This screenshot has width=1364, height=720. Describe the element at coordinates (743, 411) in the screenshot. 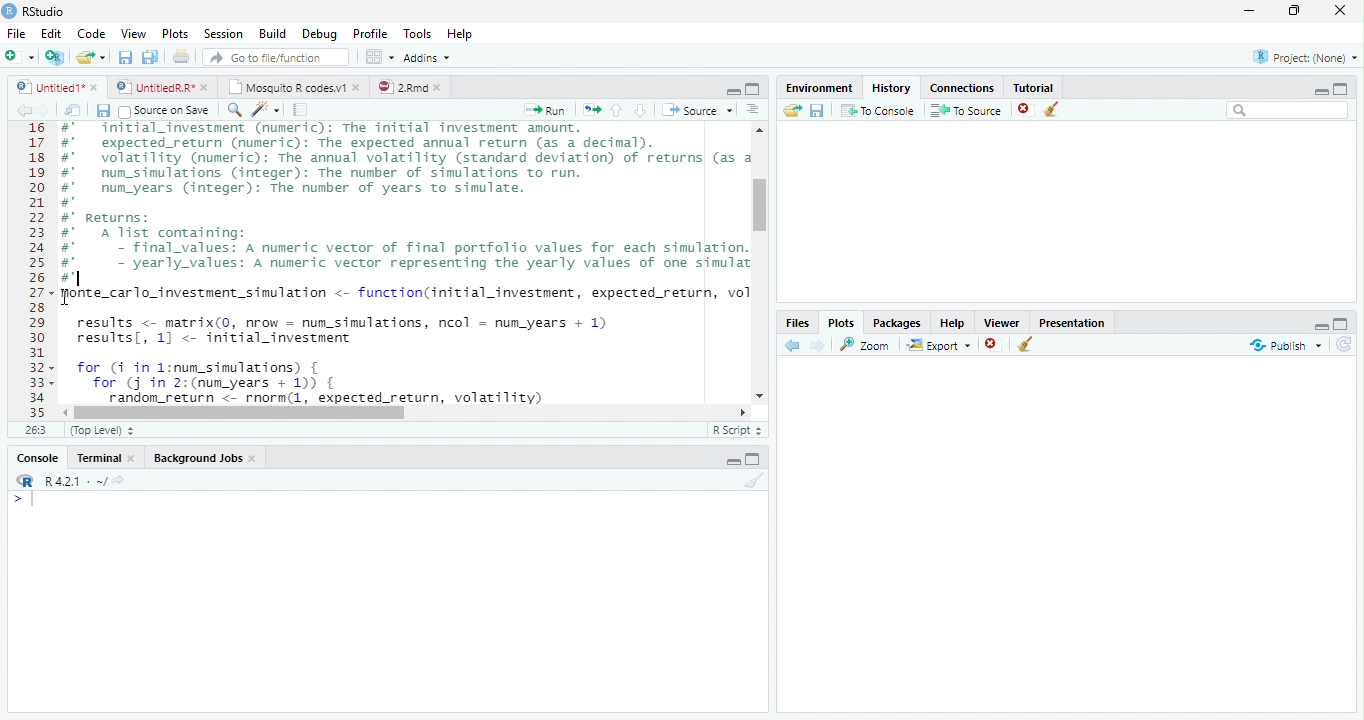

I see `Scroll Right` at that location.